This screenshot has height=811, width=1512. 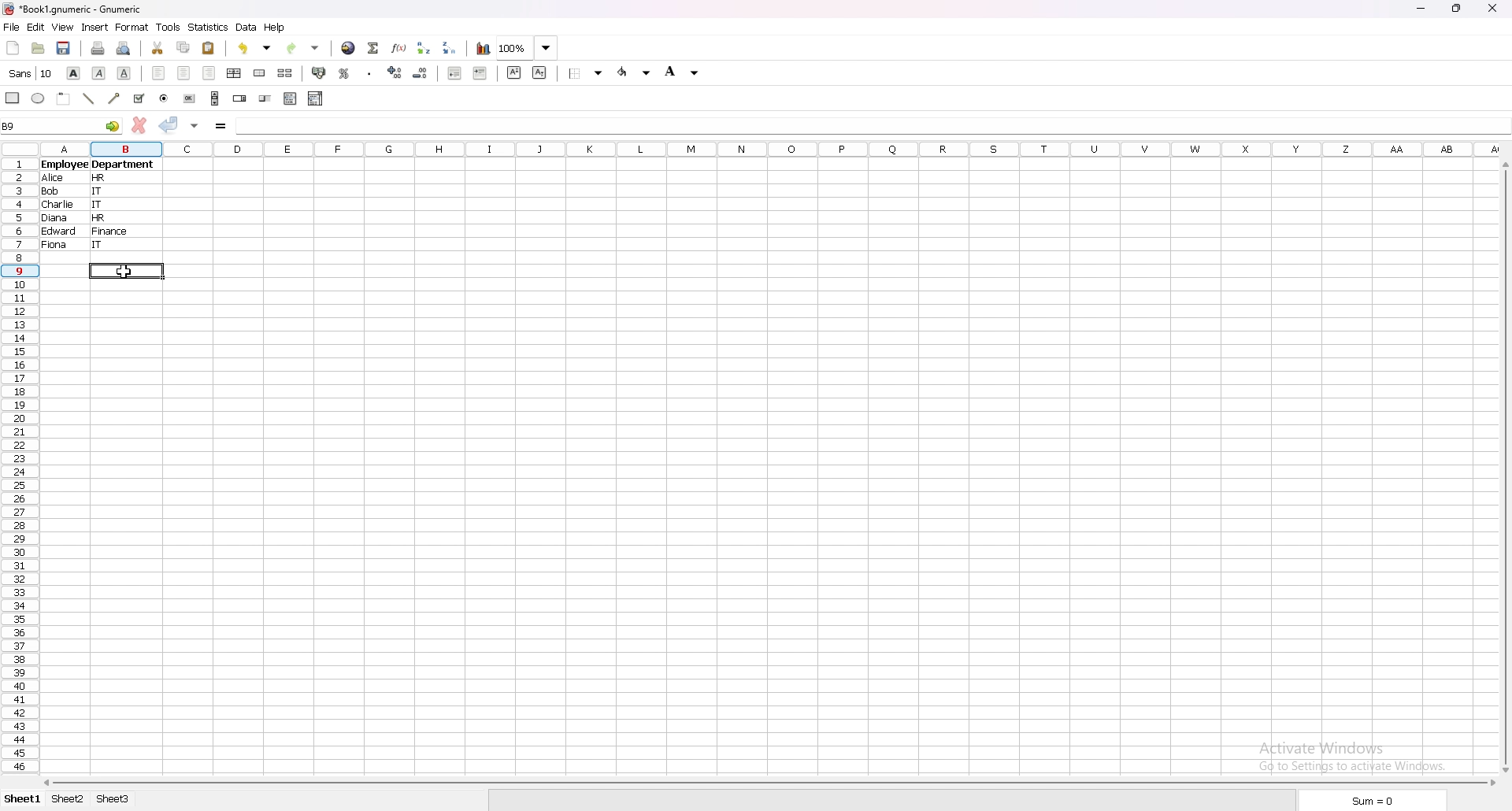 What do you see at coordinates (114, 98) in the screenshot?
I see `arrowed line` at bounding box center [114, 98].